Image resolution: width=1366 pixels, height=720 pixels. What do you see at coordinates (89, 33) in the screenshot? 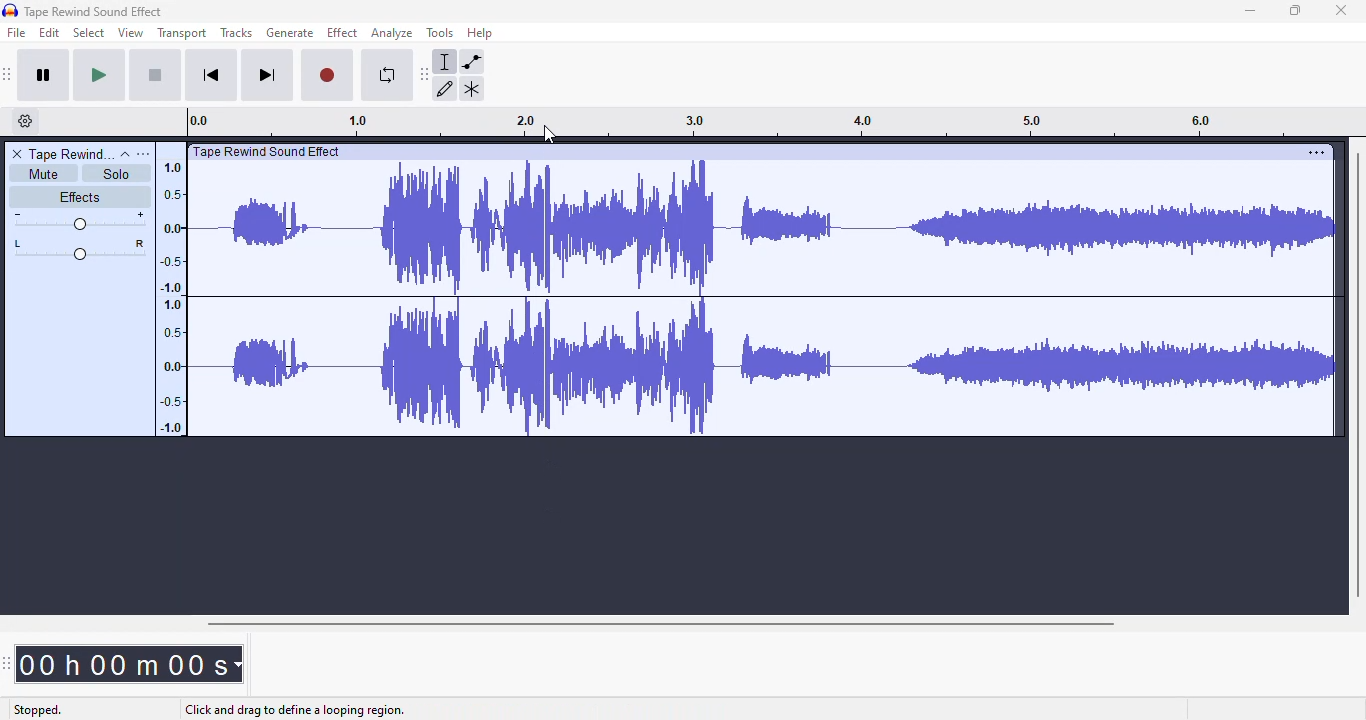
I see `select` at bounding box center [89, 33].